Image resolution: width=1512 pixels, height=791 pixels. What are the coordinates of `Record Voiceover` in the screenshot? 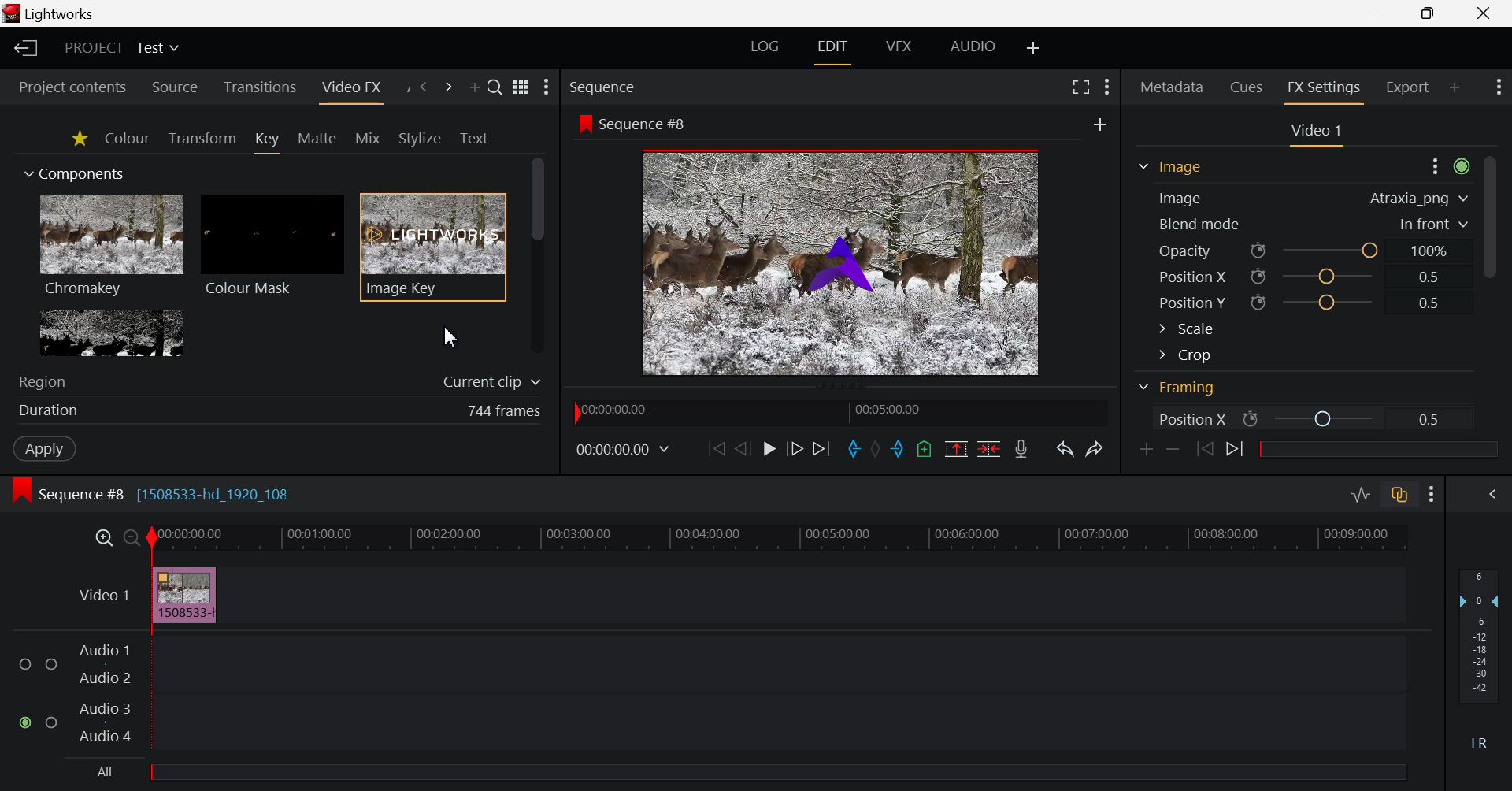 It's located at (1025, 451).